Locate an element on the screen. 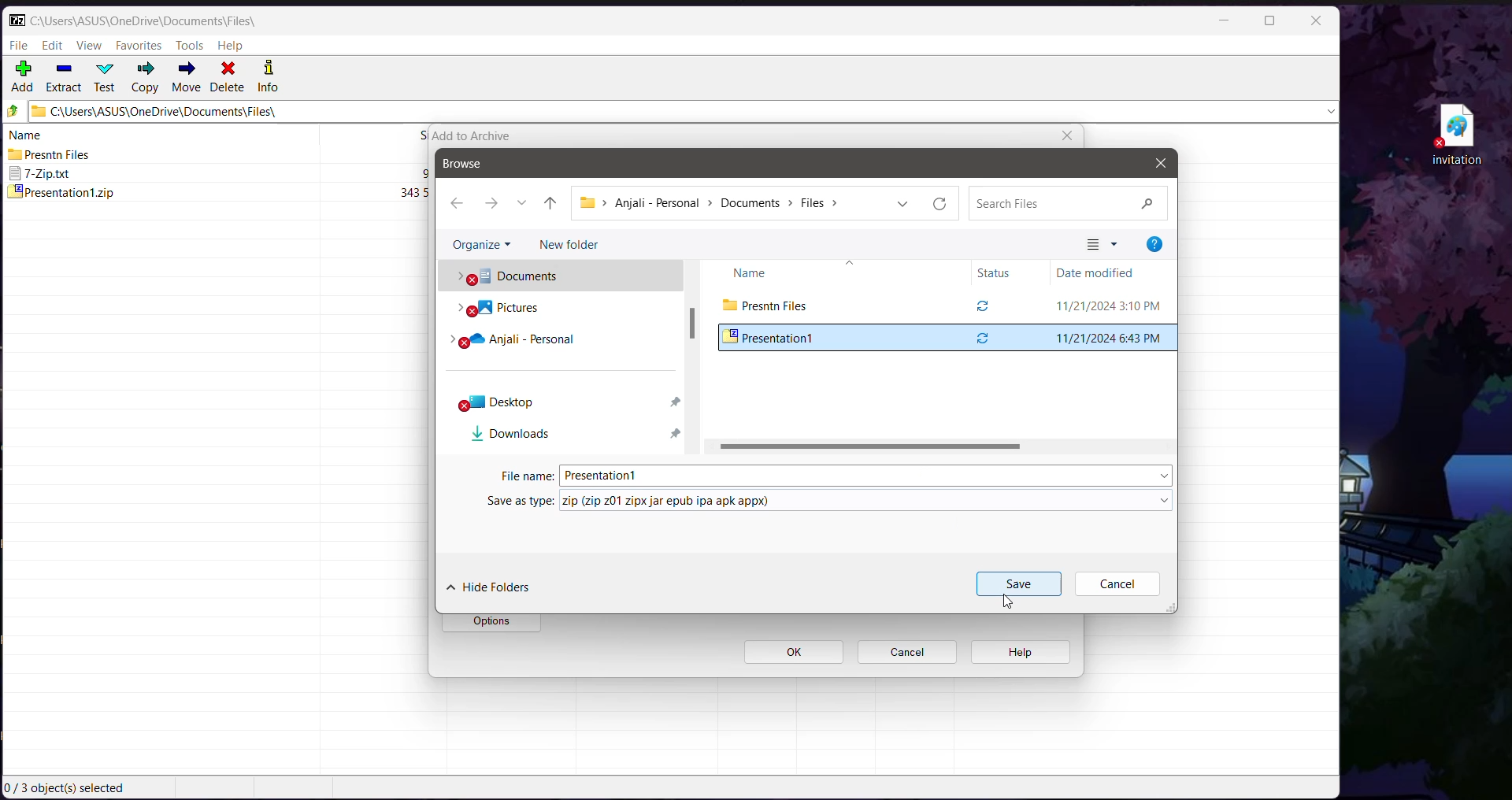 The height and width of the screenshot is (800, 1512). Current path is located at coordinates (721, 202).